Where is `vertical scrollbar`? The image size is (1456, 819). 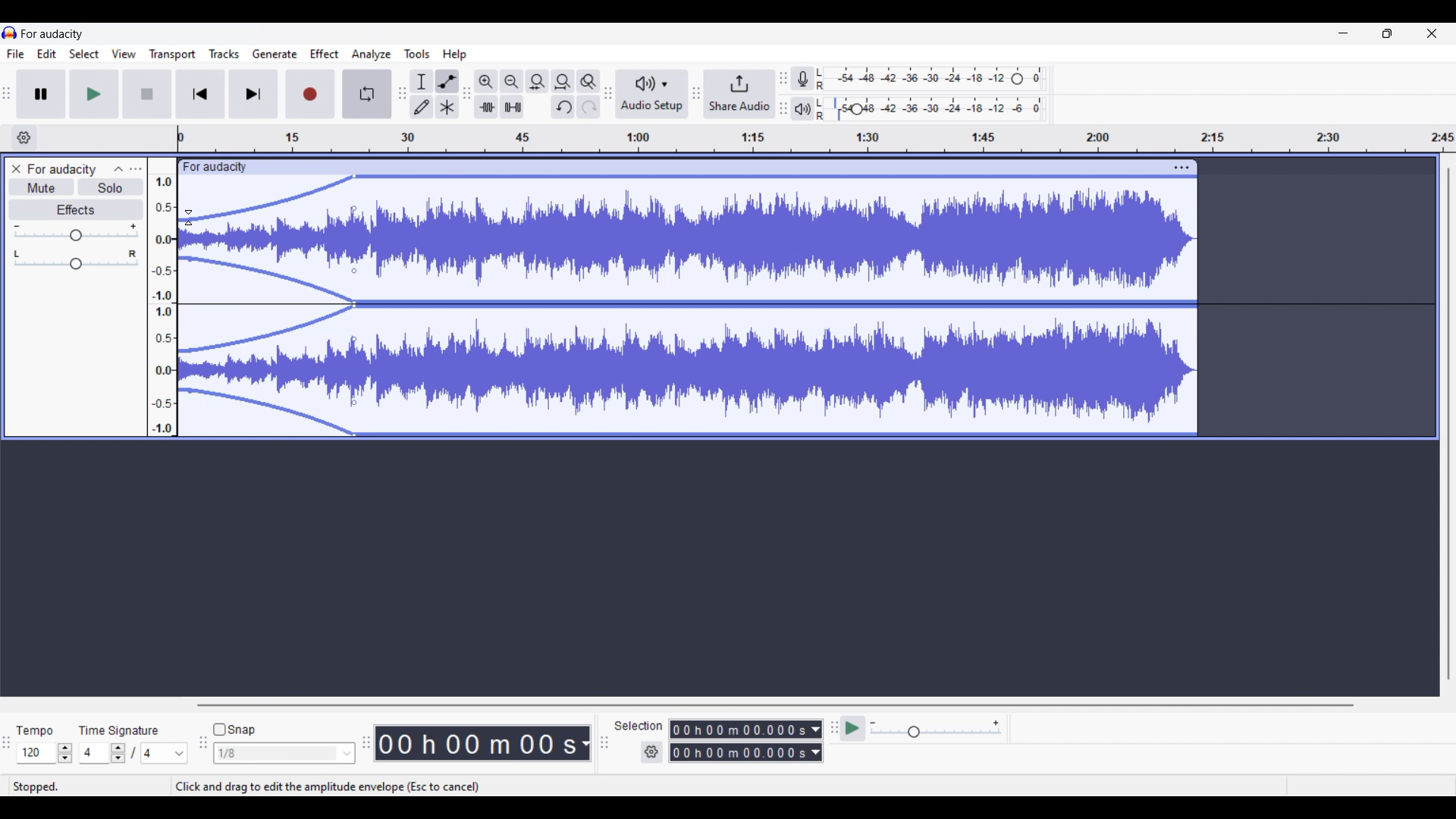
vertical scrollbar is located at coordinates (1448, 423).